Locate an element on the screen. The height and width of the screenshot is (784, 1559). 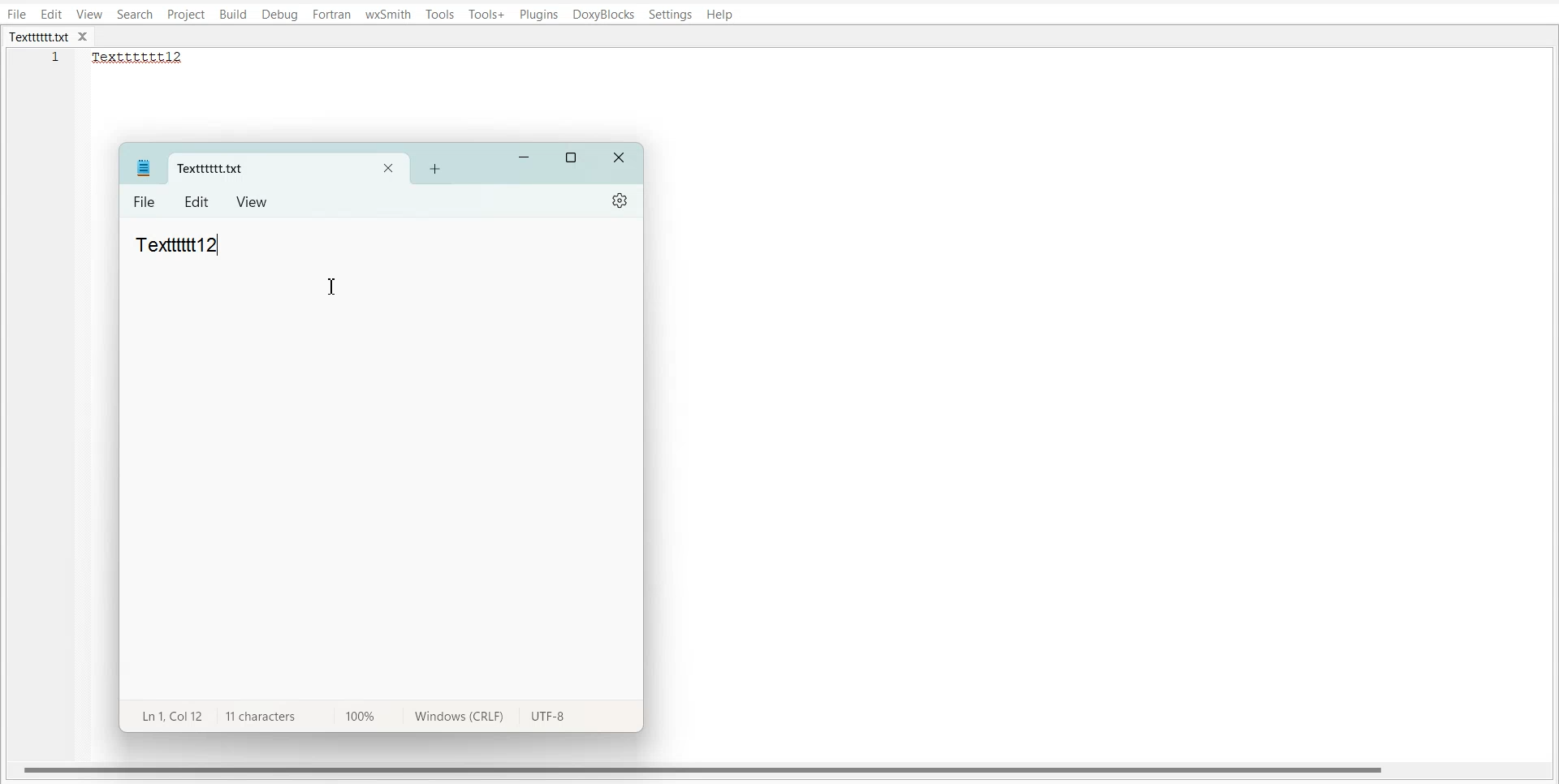
Ln1, Col 12 is located at coordinates (168, 715).